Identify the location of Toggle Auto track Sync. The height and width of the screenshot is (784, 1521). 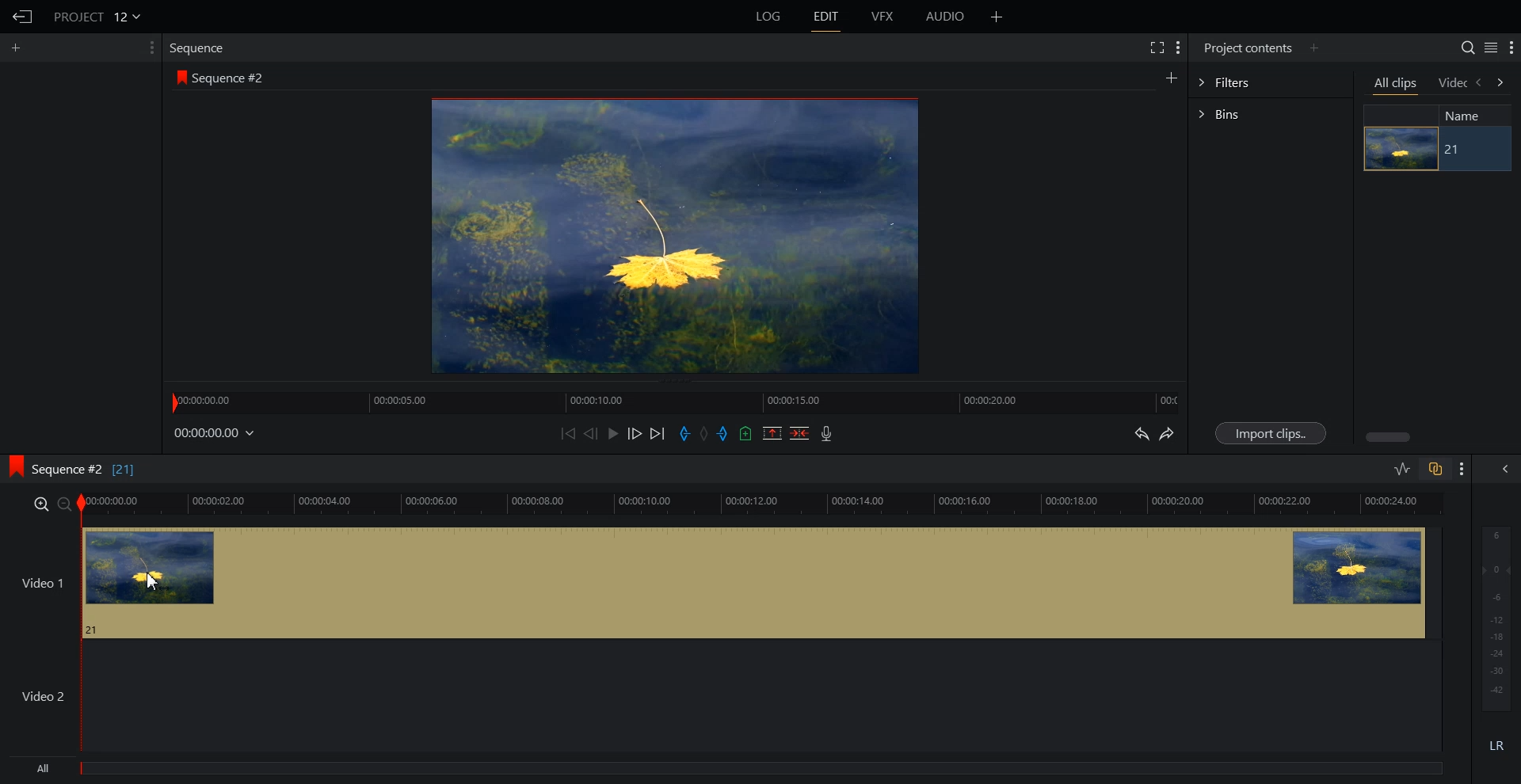
(1434, 469).